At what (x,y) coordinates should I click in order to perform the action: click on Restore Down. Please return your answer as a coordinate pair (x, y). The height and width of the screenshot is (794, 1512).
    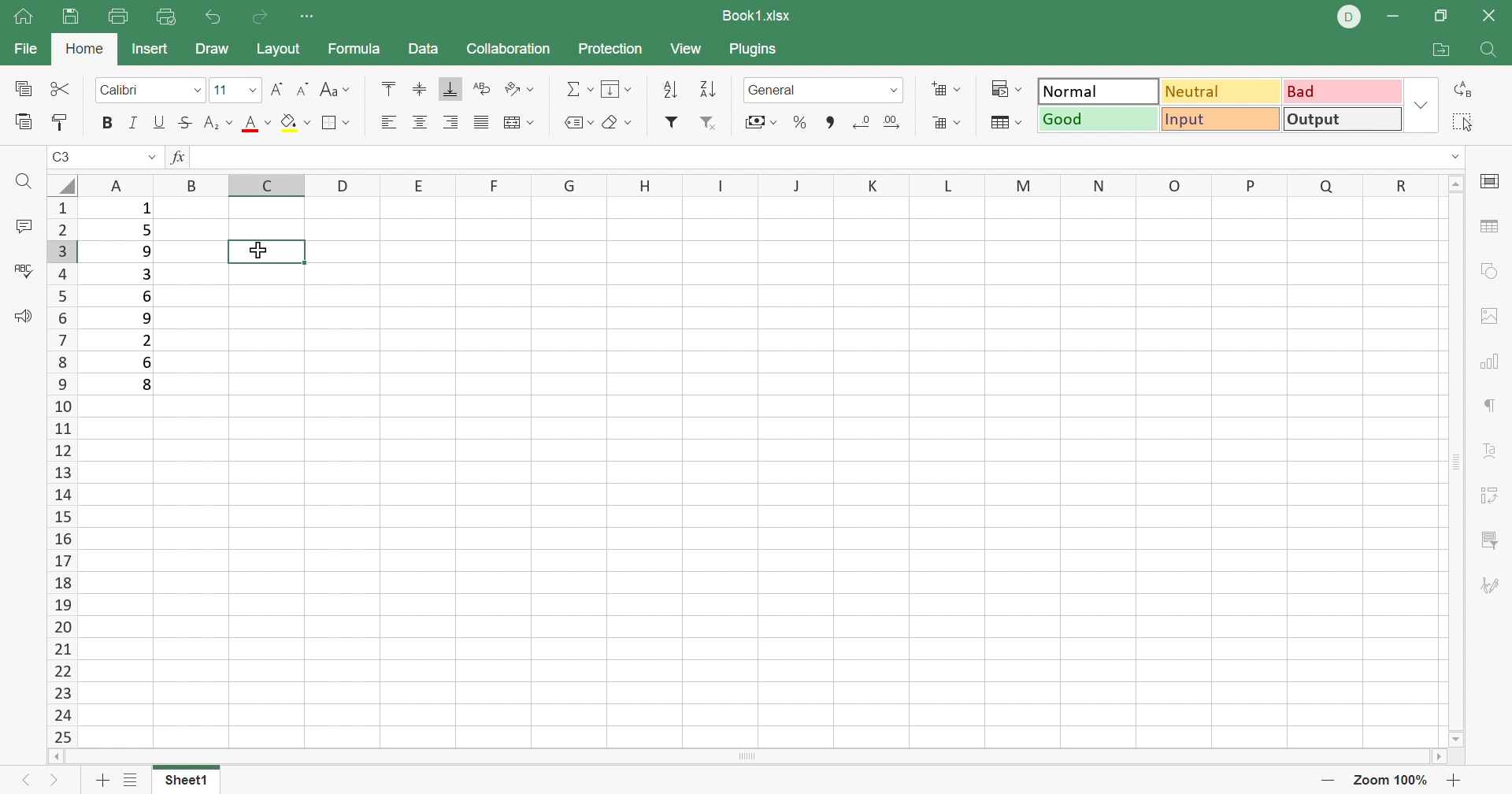
    Looking at the image, I should click on (1442, 17).